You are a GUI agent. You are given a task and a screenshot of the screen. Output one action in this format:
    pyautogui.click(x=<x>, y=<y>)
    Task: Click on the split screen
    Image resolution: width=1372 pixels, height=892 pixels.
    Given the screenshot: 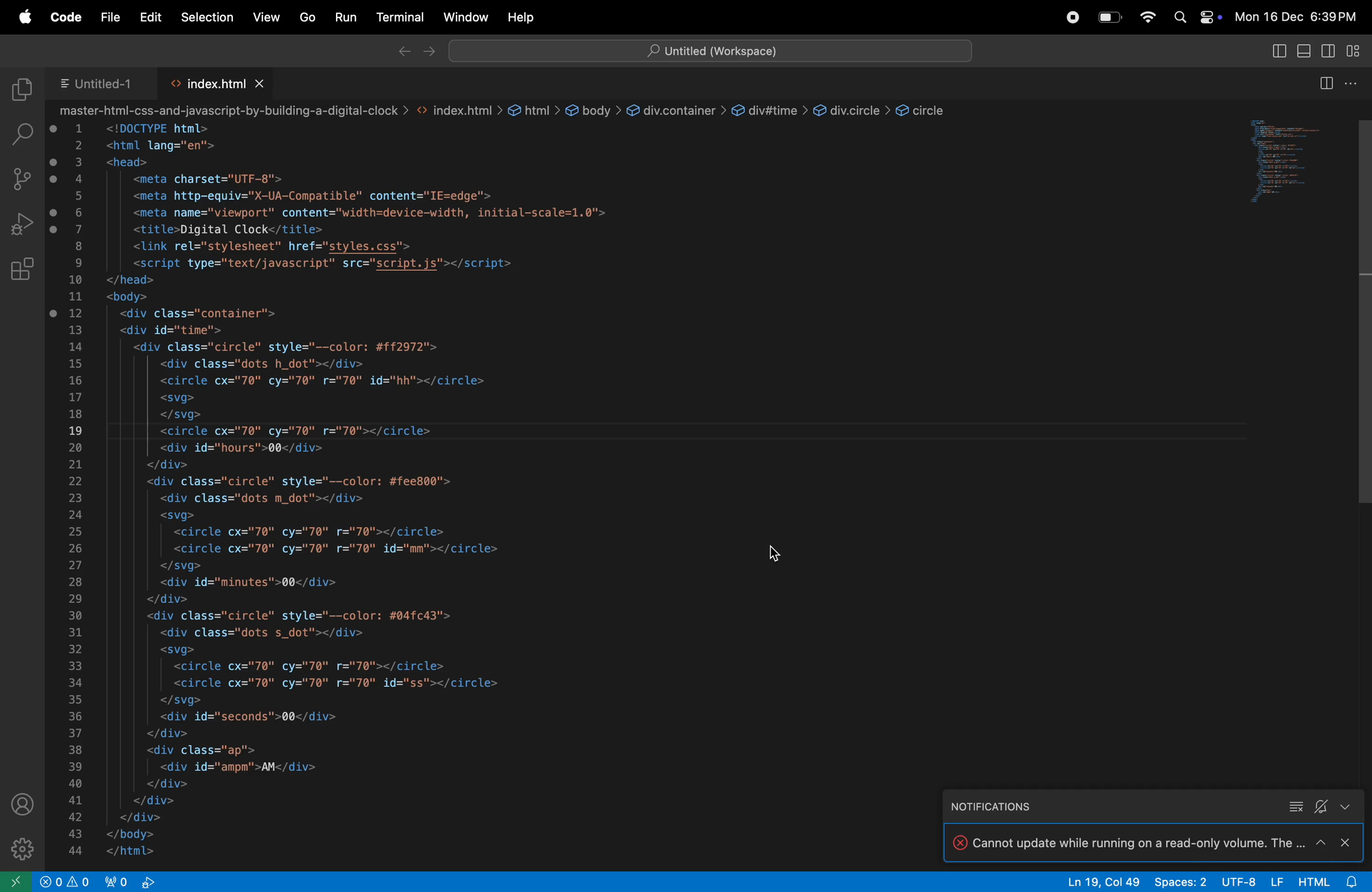 What is the action you would take?
    pyautogui.click(x=1329, y=86)
    